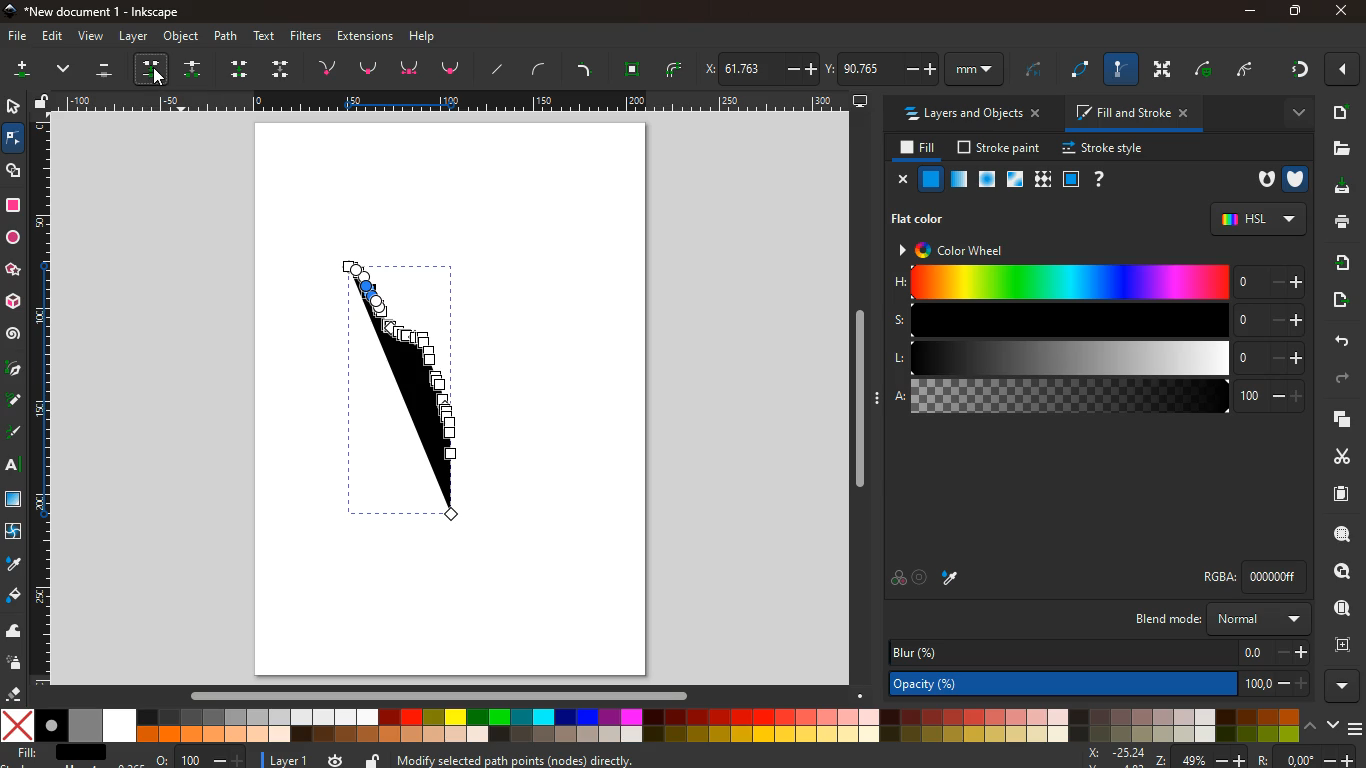 Image resolution: width=1366 pixels, height=768 pixels. Describe the element at coordinates (11, 105) in the screenshot. I see `select` at that location.